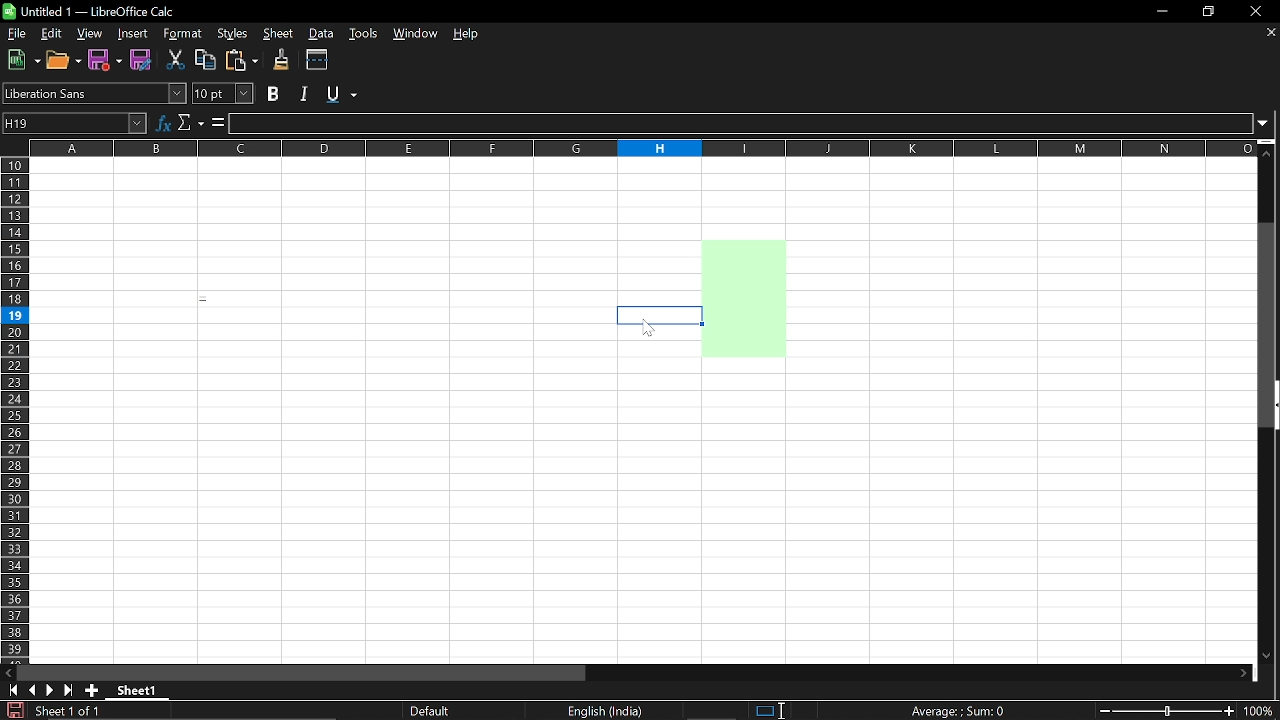 This screenshot has width=1280, height=720. What do you see at coordinates (206, 61) in the screenshot?
I see `Copy` at bounding box center [206, 61].